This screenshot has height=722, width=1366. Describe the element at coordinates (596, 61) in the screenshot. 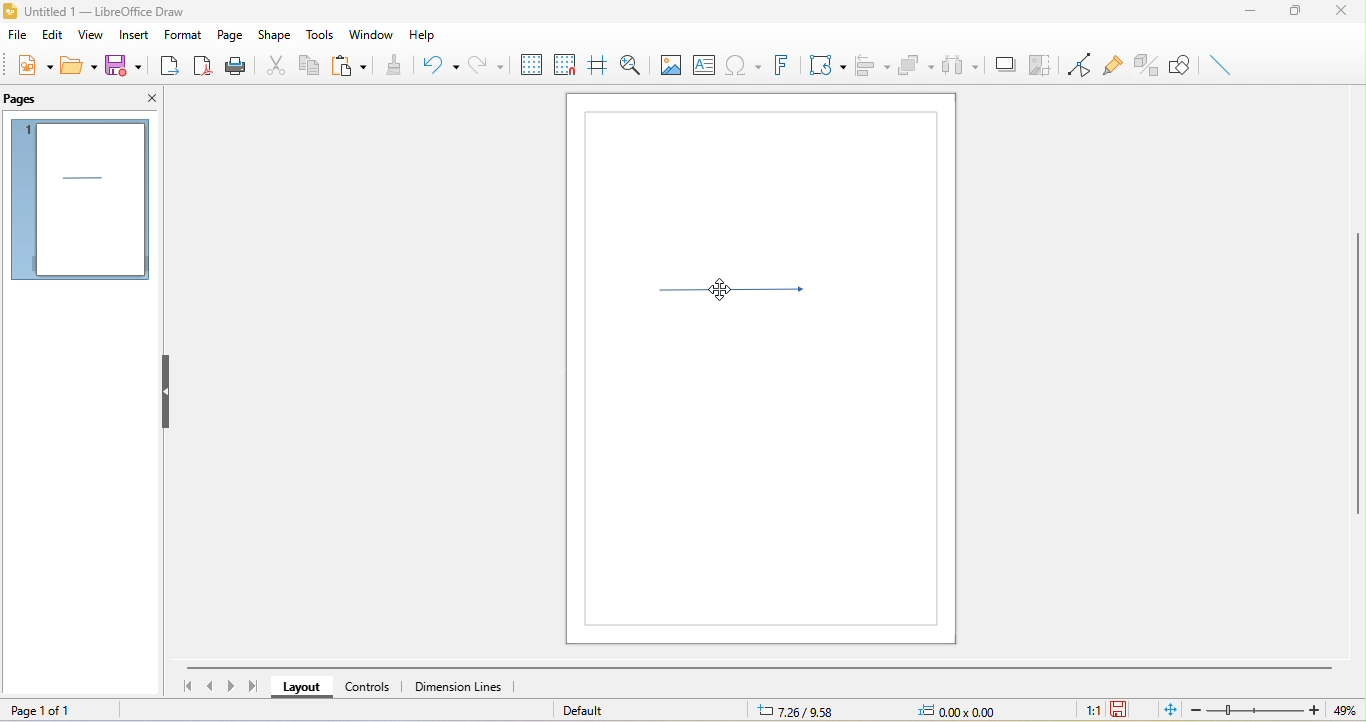

I see `helping while moving` at that location.